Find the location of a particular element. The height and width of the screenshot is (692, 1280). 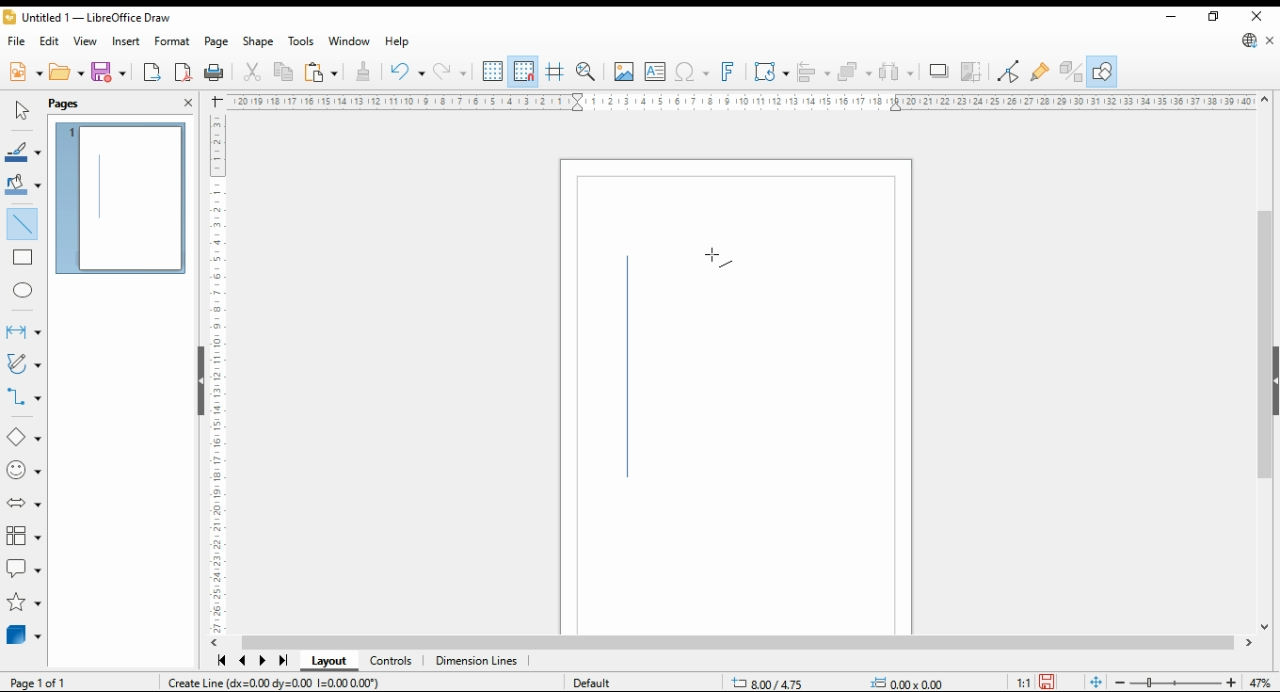

-21.15/11.78 is located at coordinates (776, 681).